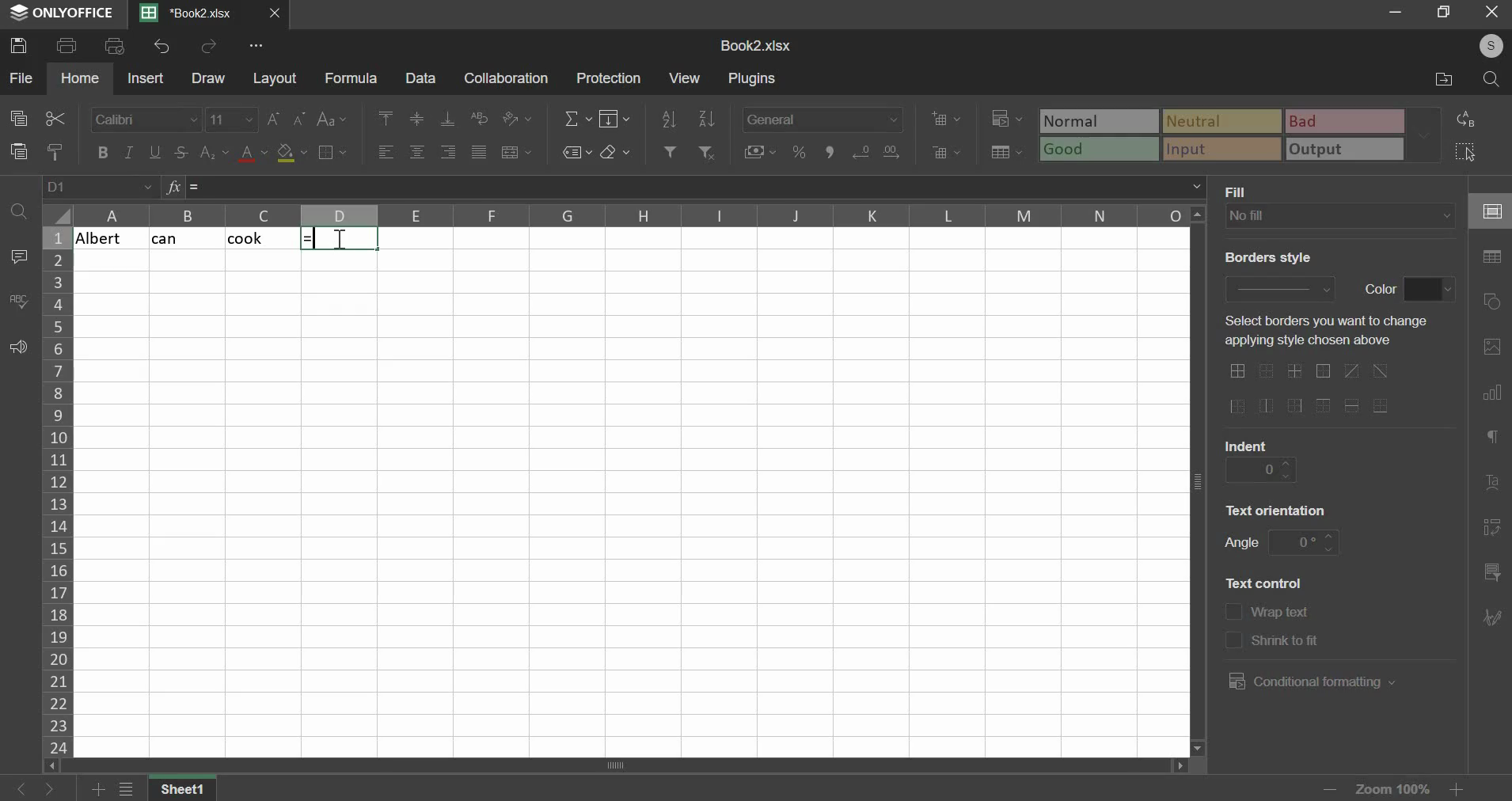 This screenshot has height=801, width=1512. I want to click on file, so click(21, 77).